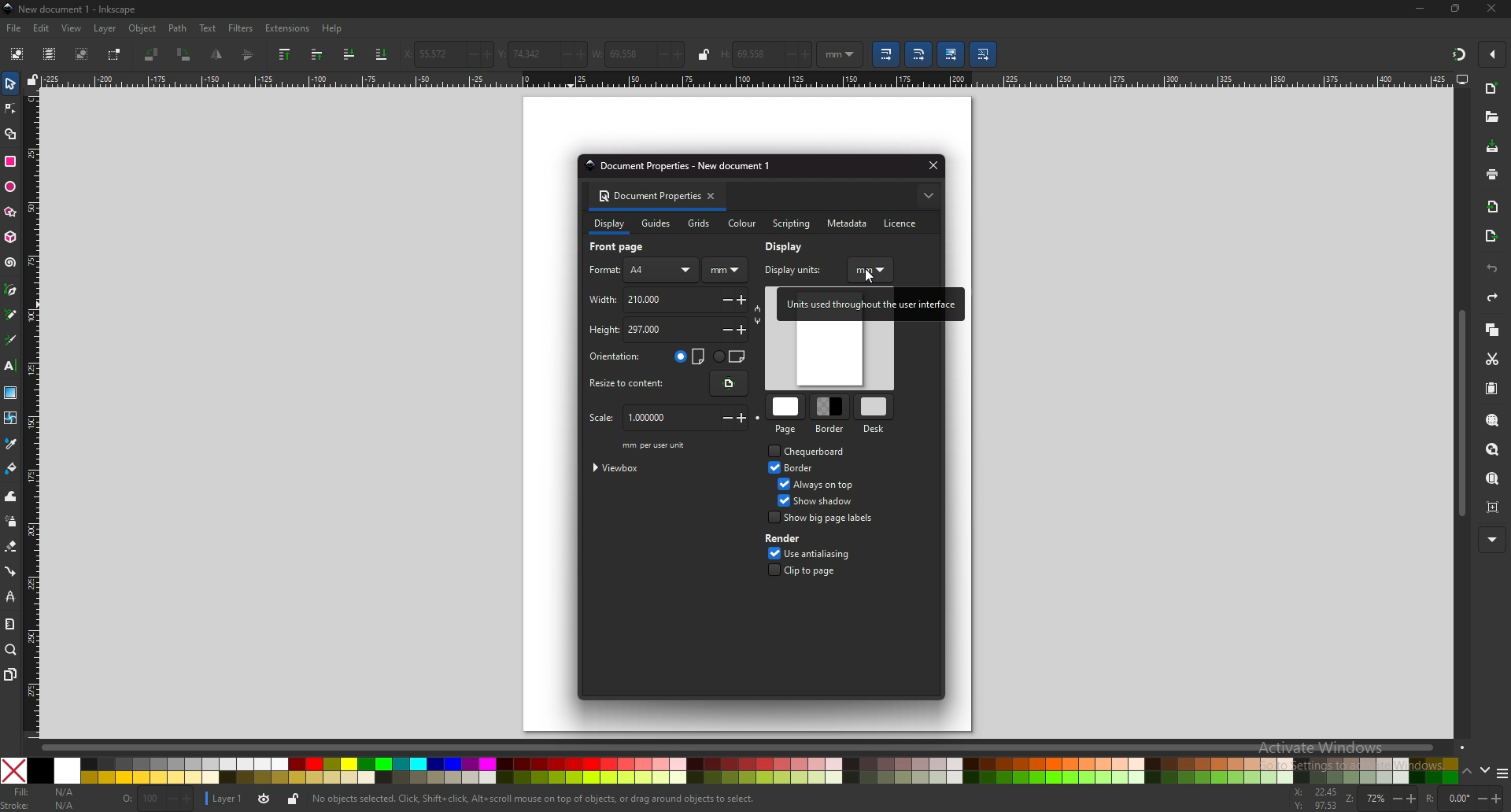 This screenshot has height=812, width=1511. Describe the element at coordinates (331, 29) in the screenshot. I see `help` at that location.